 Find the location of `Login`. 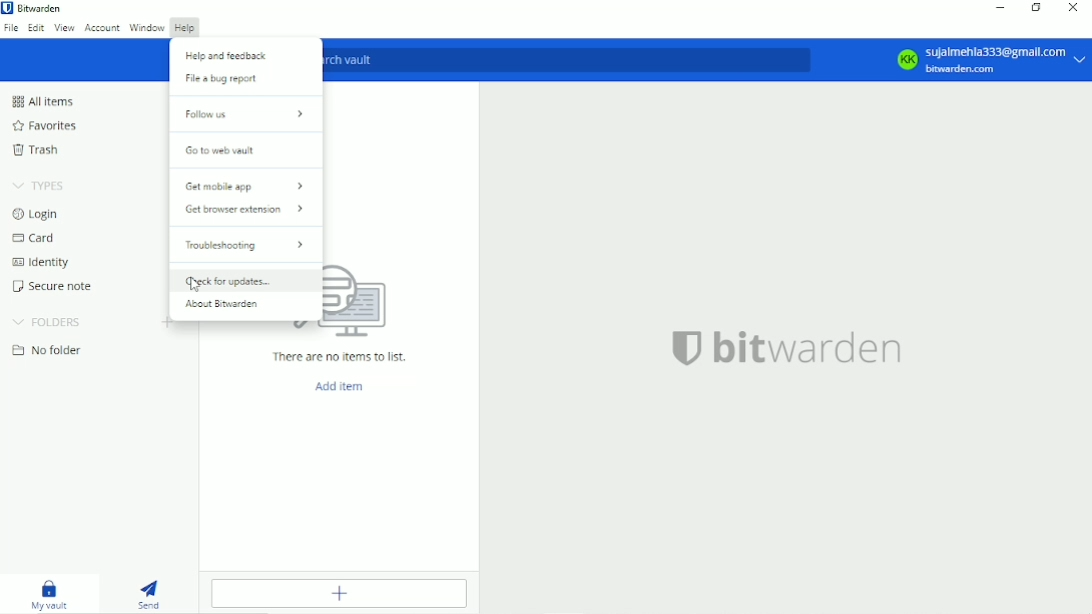

Login is located at coordinates (38, 213).